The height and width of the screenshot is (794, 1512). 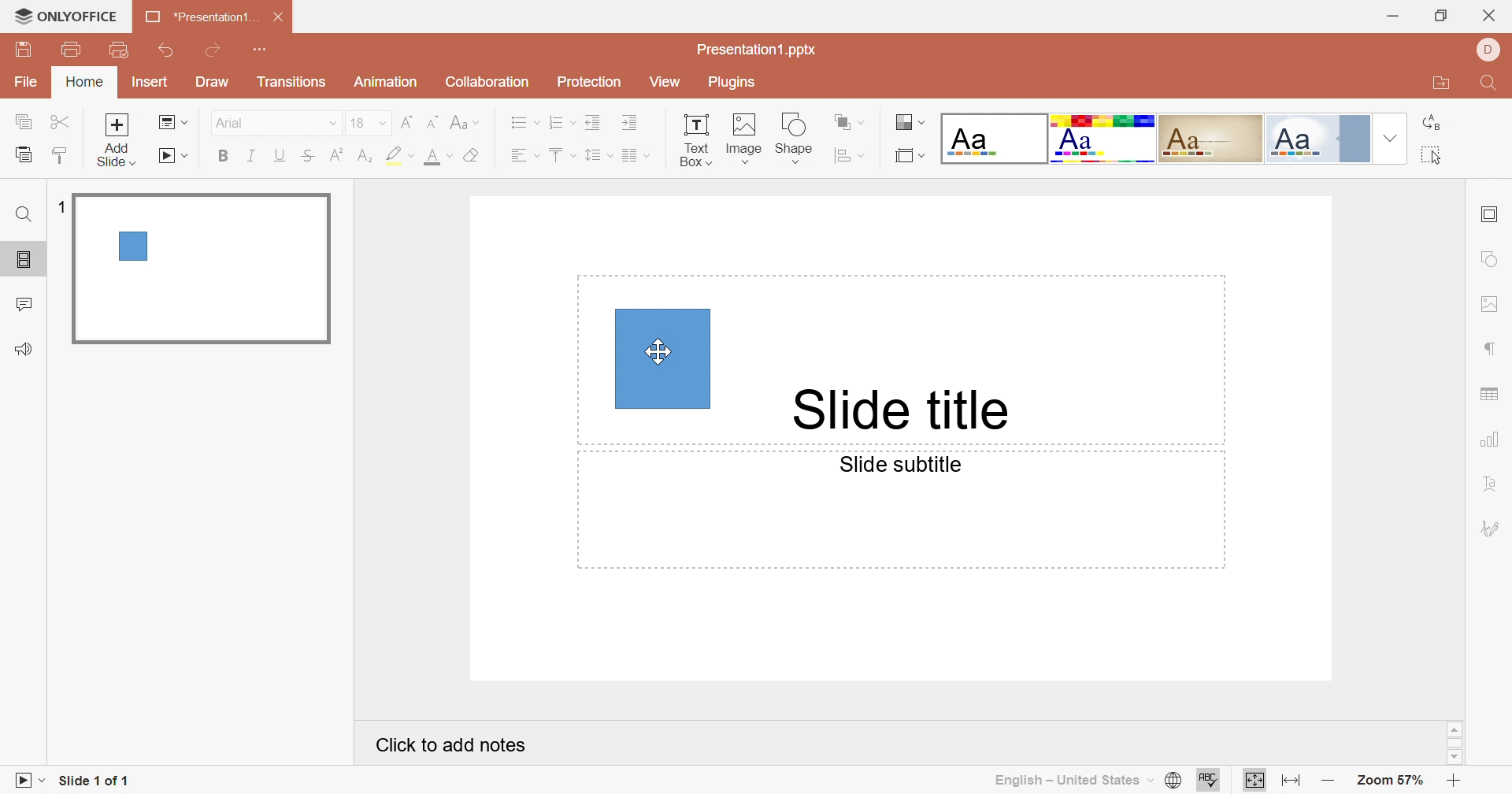 I want to click on Strikethrough, so click(x=313, y=155).